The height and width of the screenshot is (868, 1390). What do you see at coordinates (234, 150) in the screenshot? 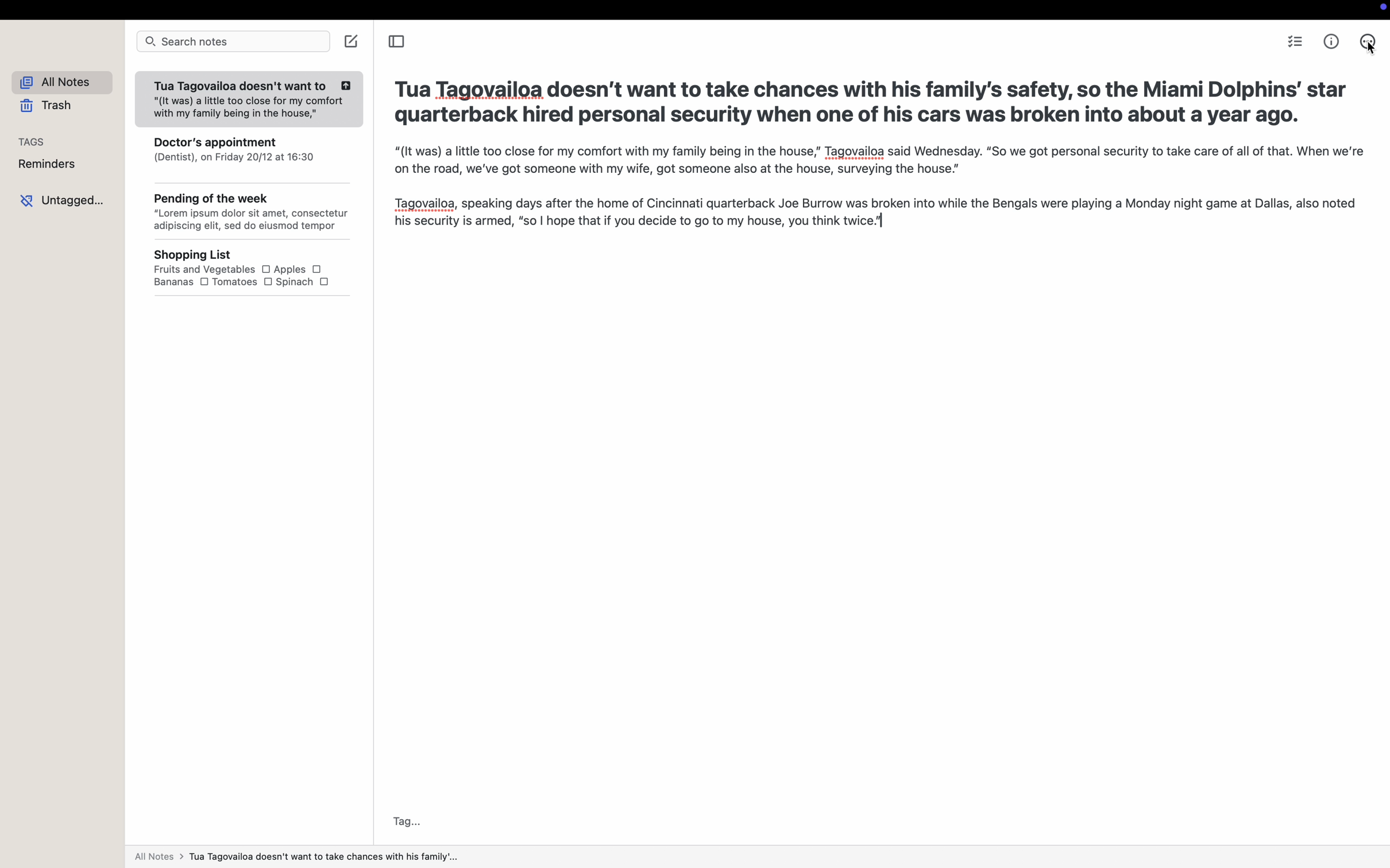
I see `Doctor's appointment
(Dentist), on Friday 20/12 at 16:30` at bounding box center [234, 150].